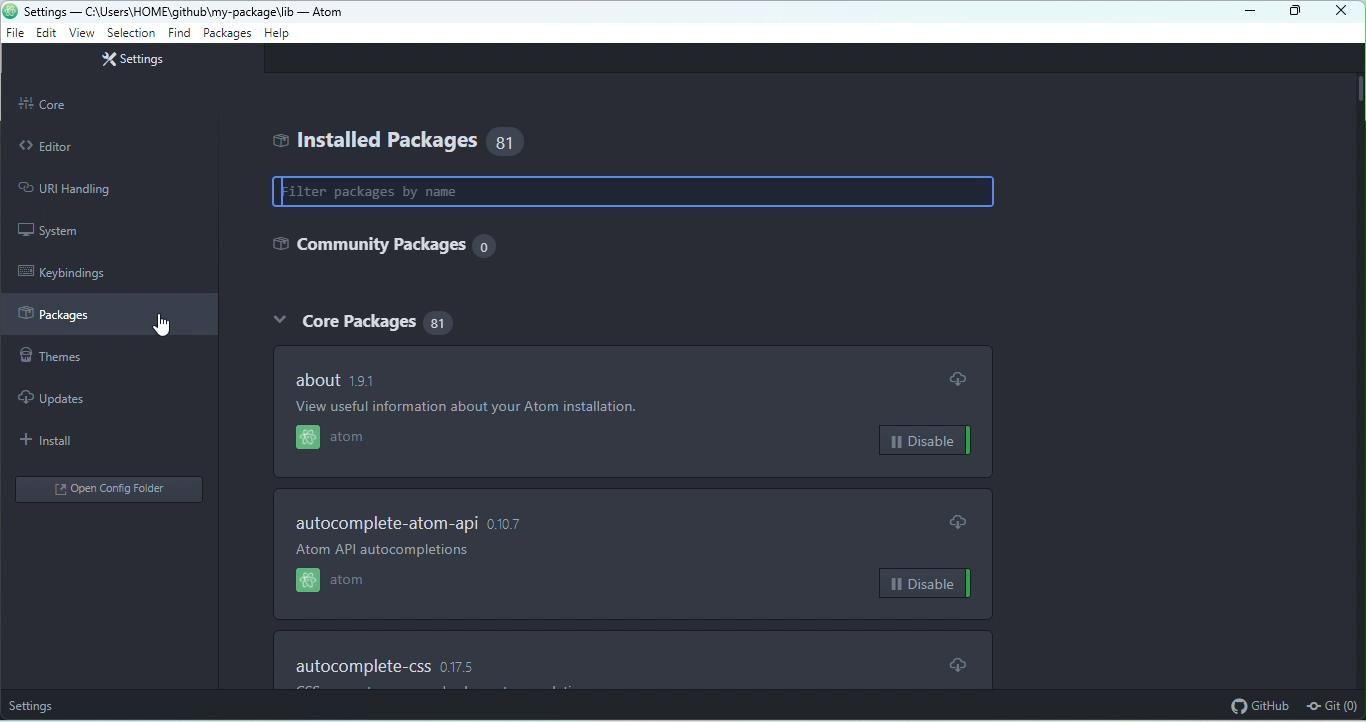  What do you see at coordinates (278, 32) in the screenshot?
I see `help` at bounding box center [278, 32].